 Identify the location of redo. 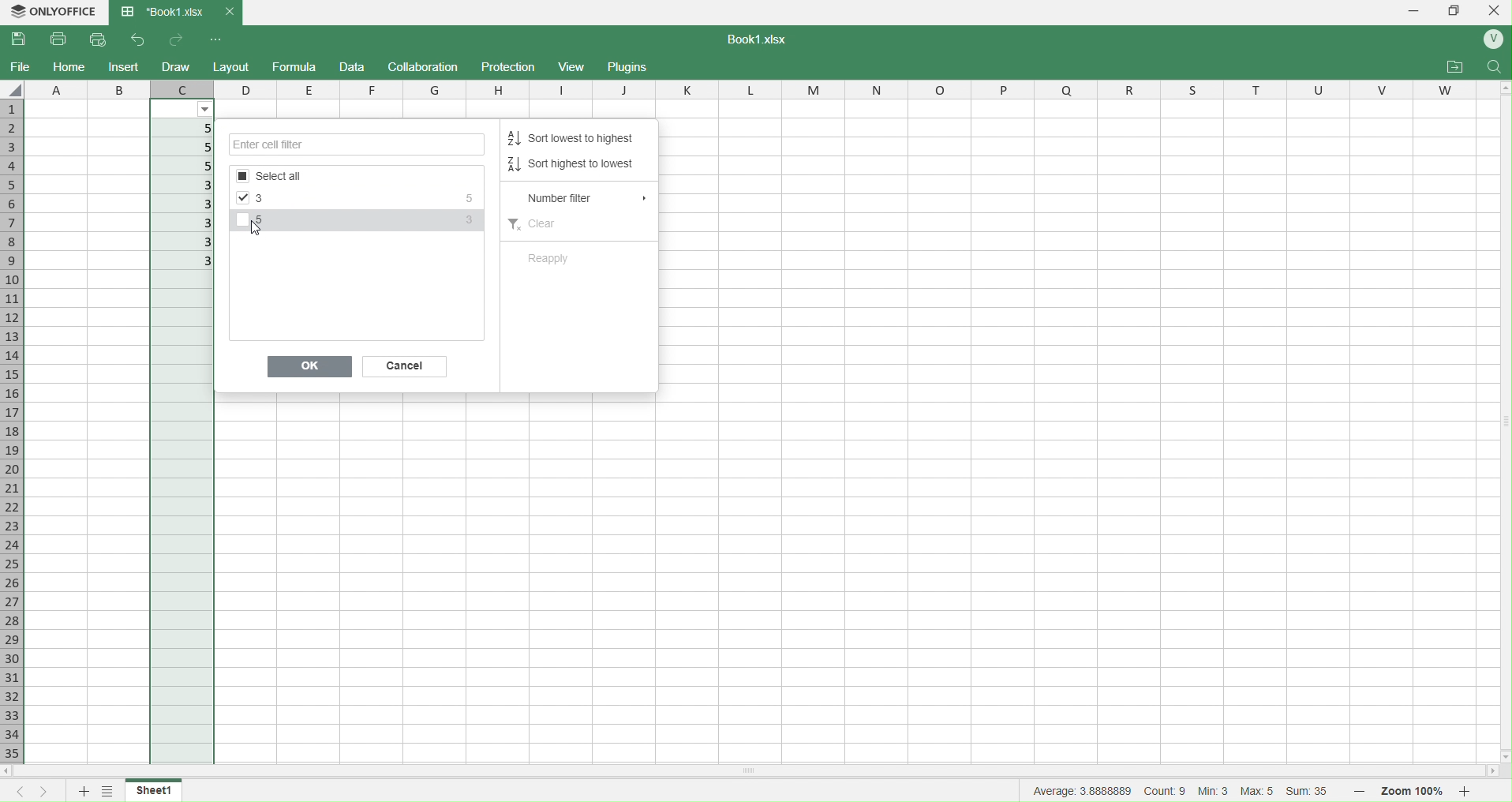
(175, 39).